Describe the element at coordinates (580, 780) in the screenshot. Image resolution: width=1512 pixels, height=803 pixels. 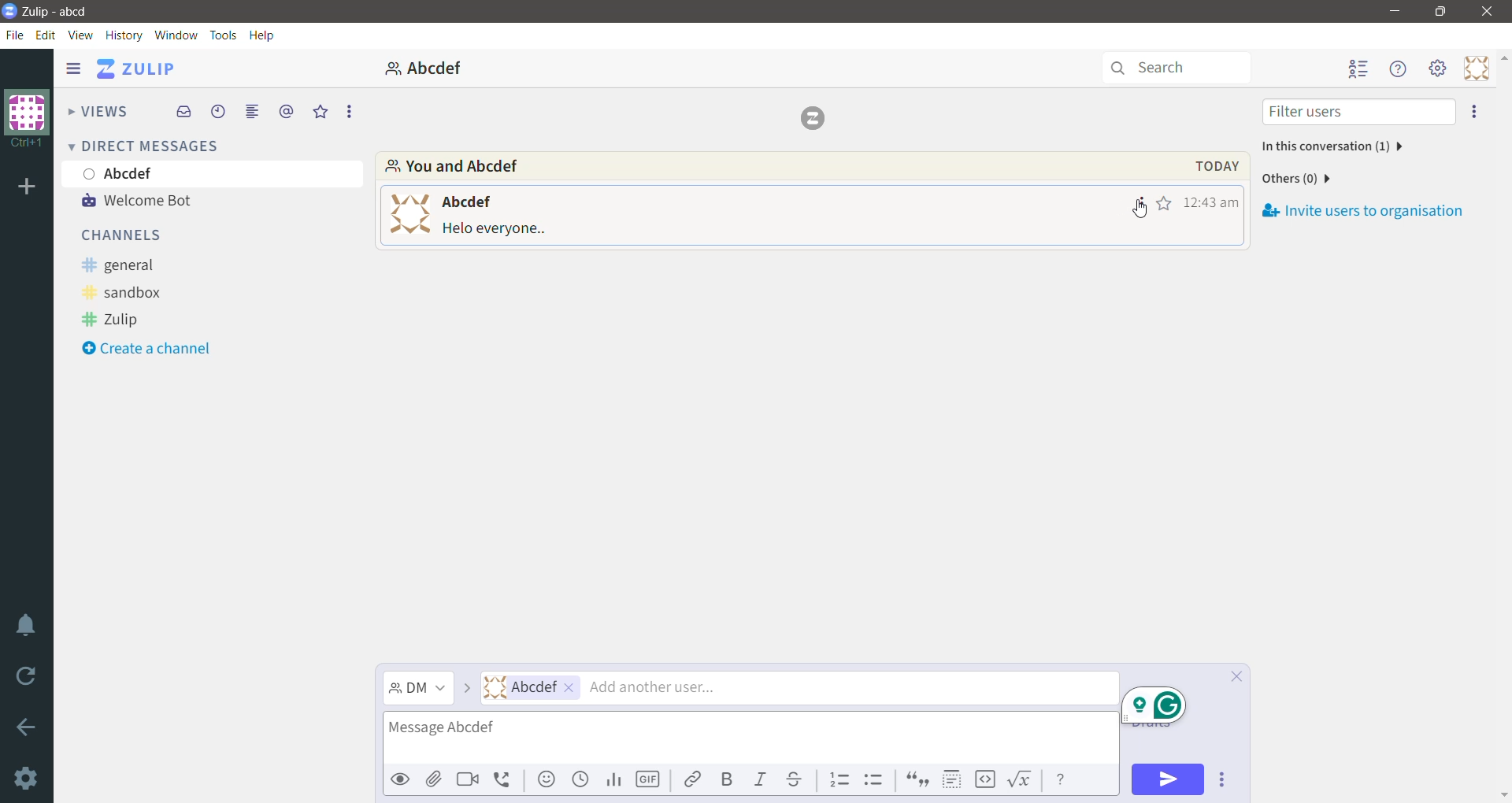
I see `Add global time` at that location.